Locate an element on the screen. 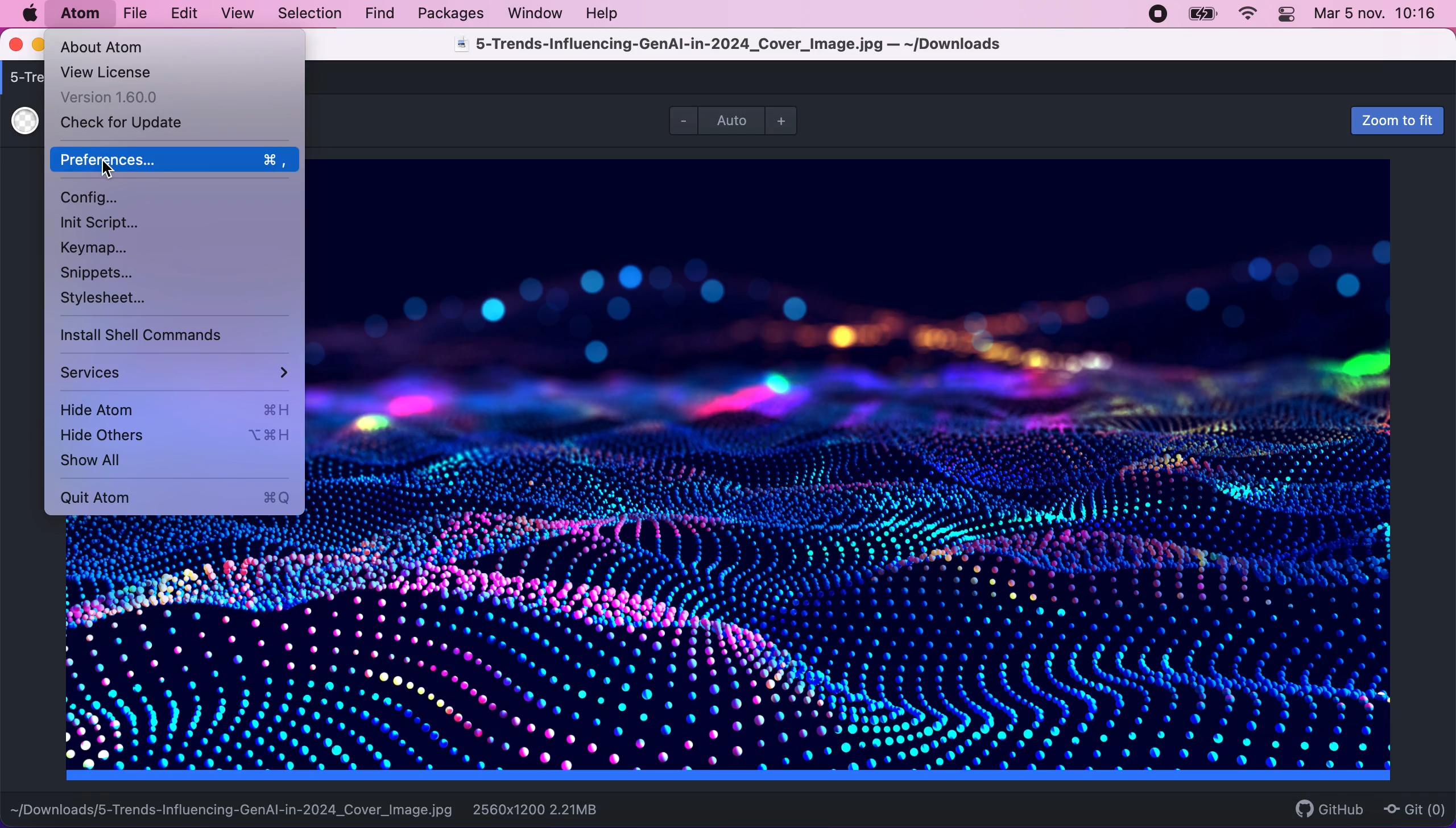 The height and width of the screenshot is (828, 1456). recording stopped is located at coordinates (1156, 13).